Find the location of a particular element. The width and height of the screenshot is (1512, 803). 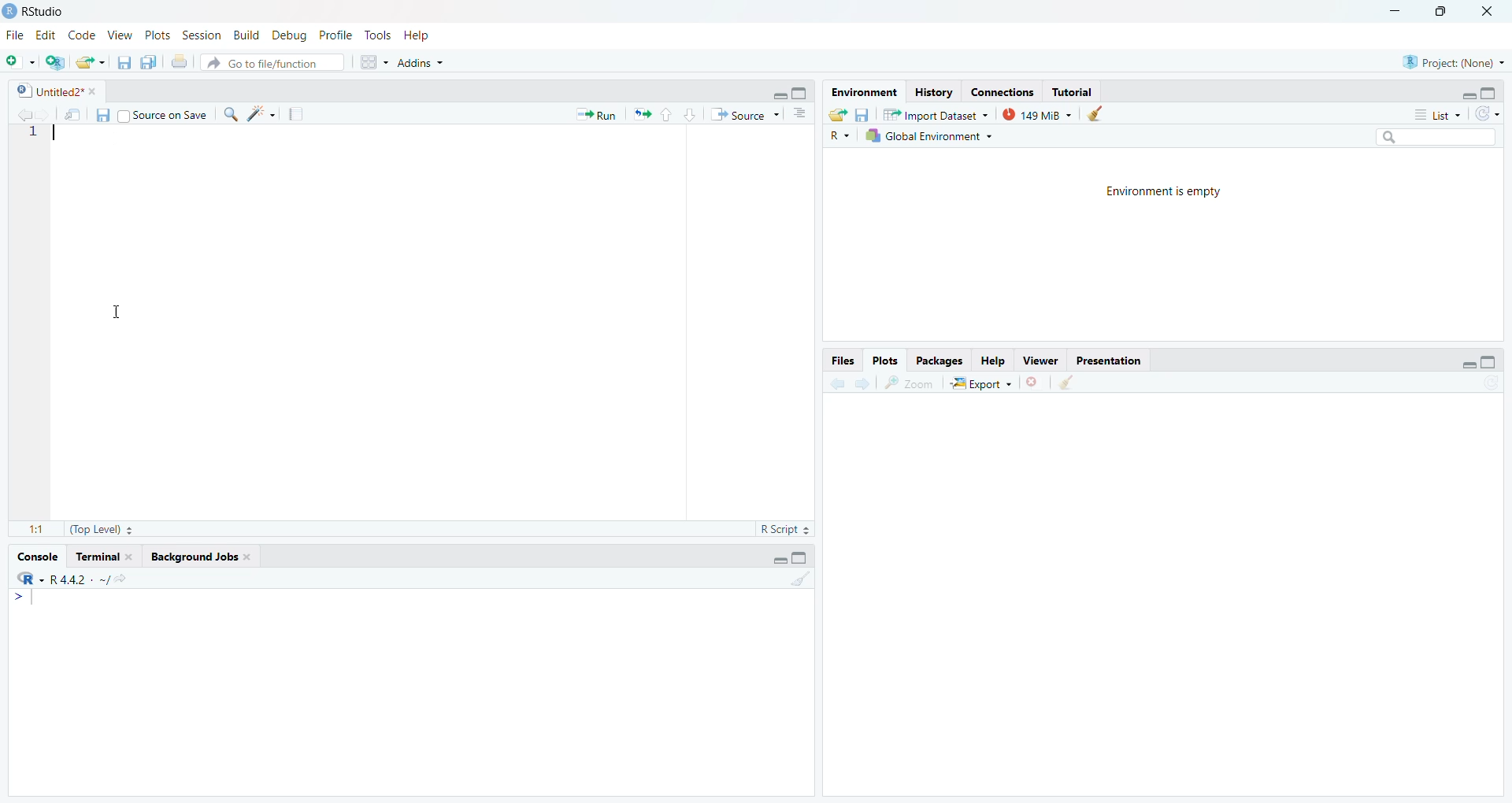

Help is located at coordinates (994, 358).